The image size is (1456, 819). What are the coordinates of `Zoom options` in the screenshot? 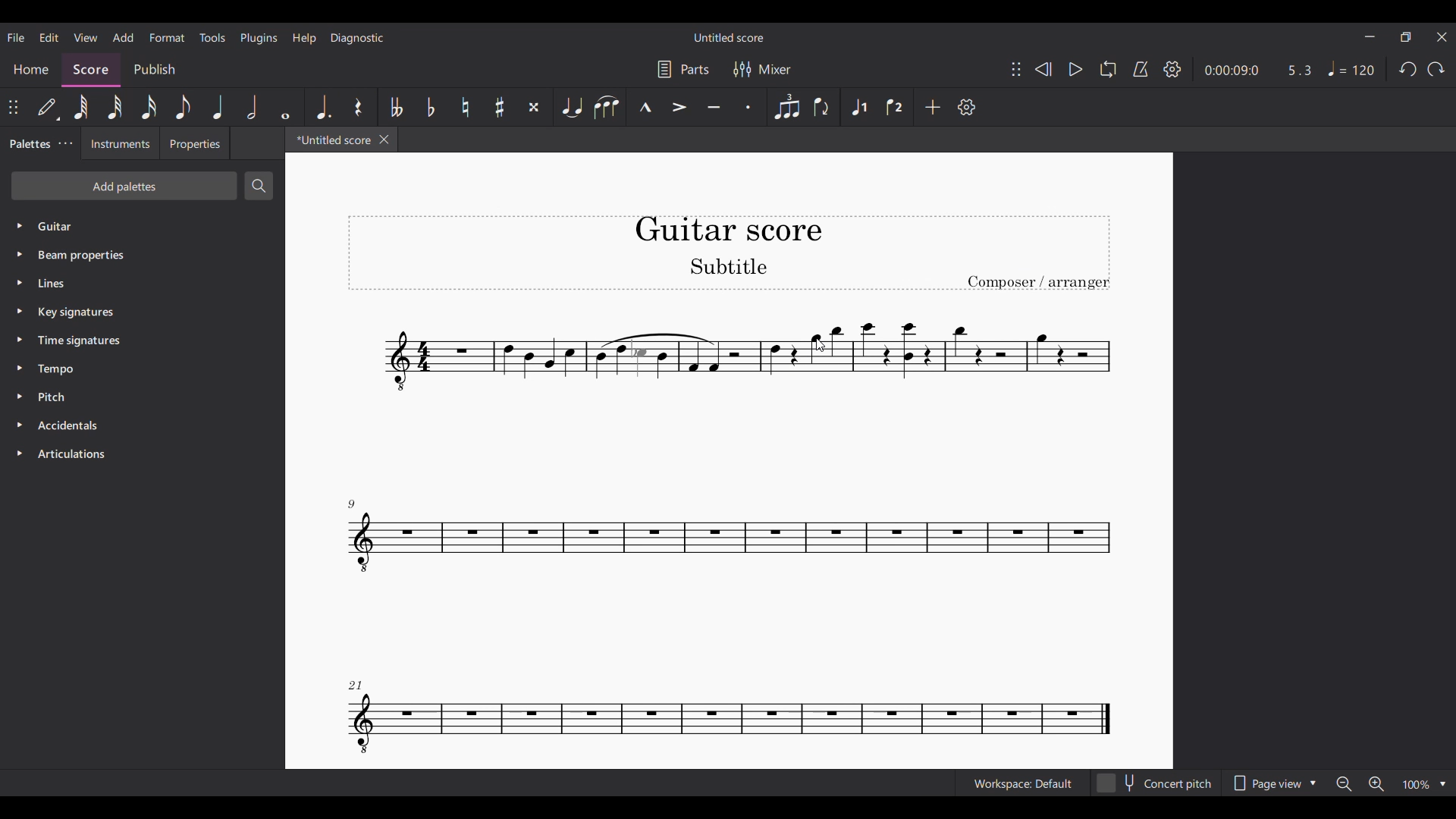 It's located at (1424, 785).